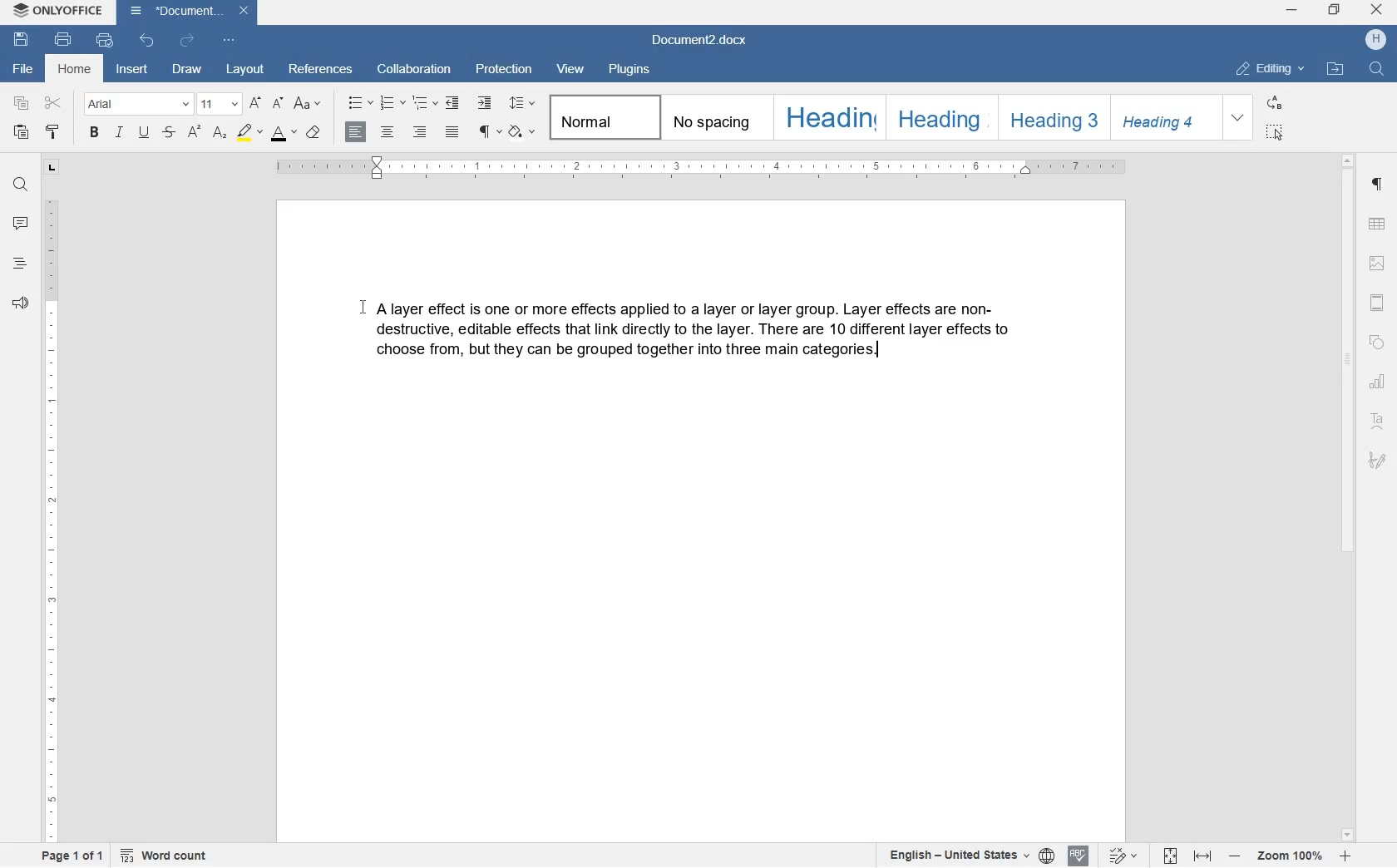 The image size is (1397, 868). What do you see at coordinates (220, 134) in the screenshot?
I see `subscript` at bounding box center [220, 134].